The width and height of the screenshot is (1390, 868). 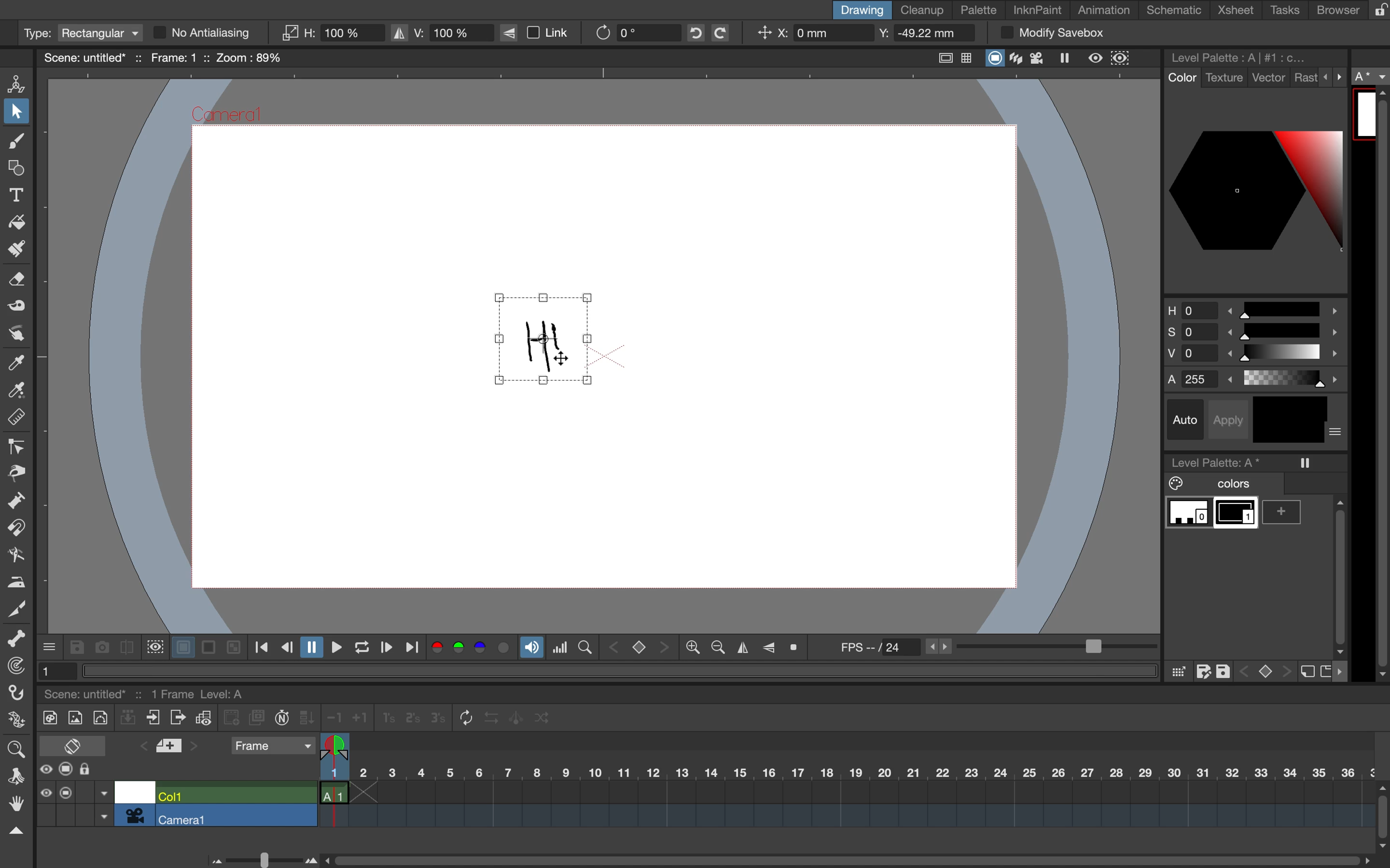 What do you see at coordinates (159, 692) in the screenshot?
I see `scene and scene details` at bounding box center [159, 692].